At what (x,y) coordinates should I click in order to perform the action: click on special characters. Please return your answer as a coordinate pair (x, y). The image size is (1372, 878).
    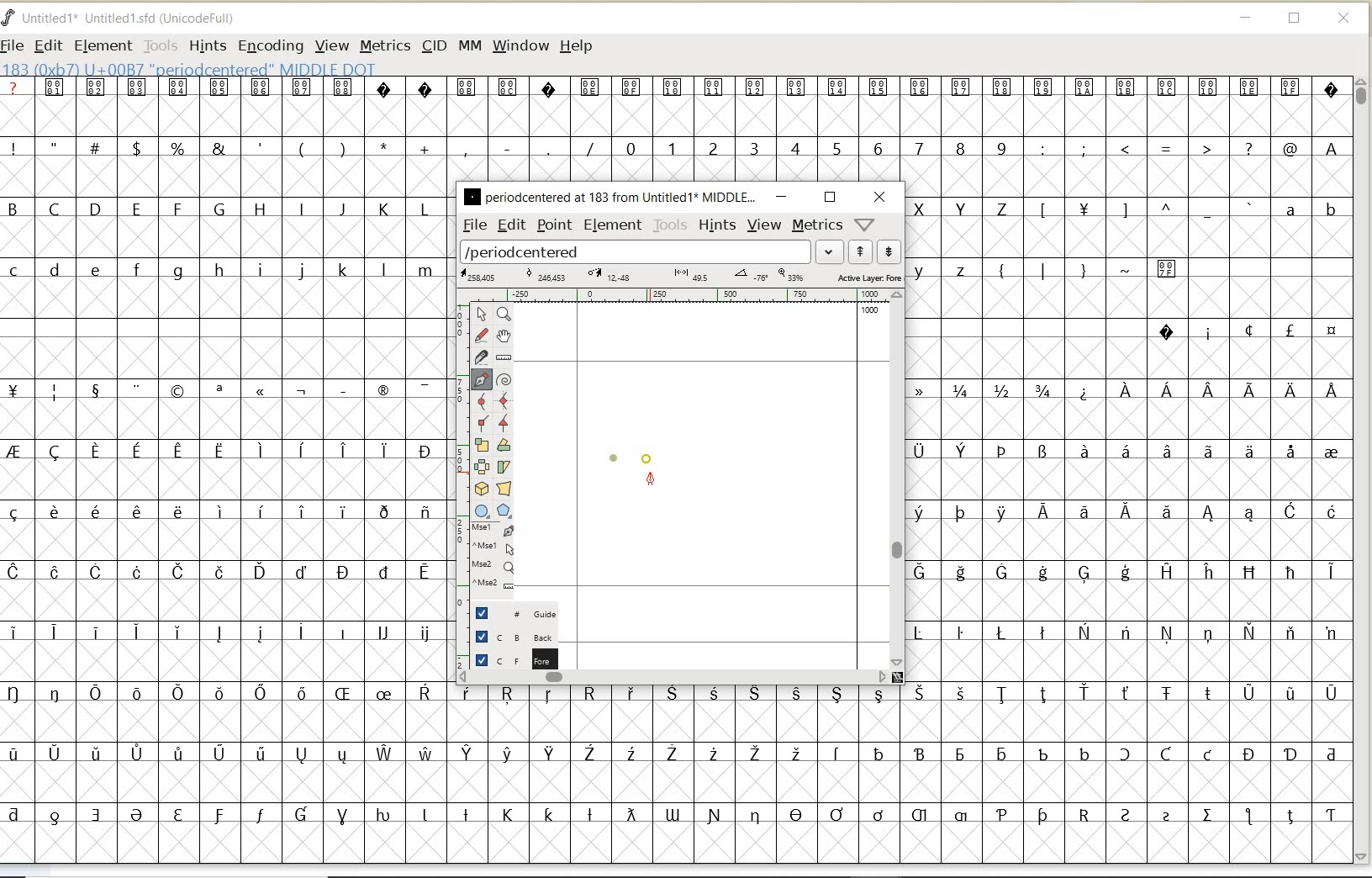
    Looking at the image, I should click on (1247, 331).